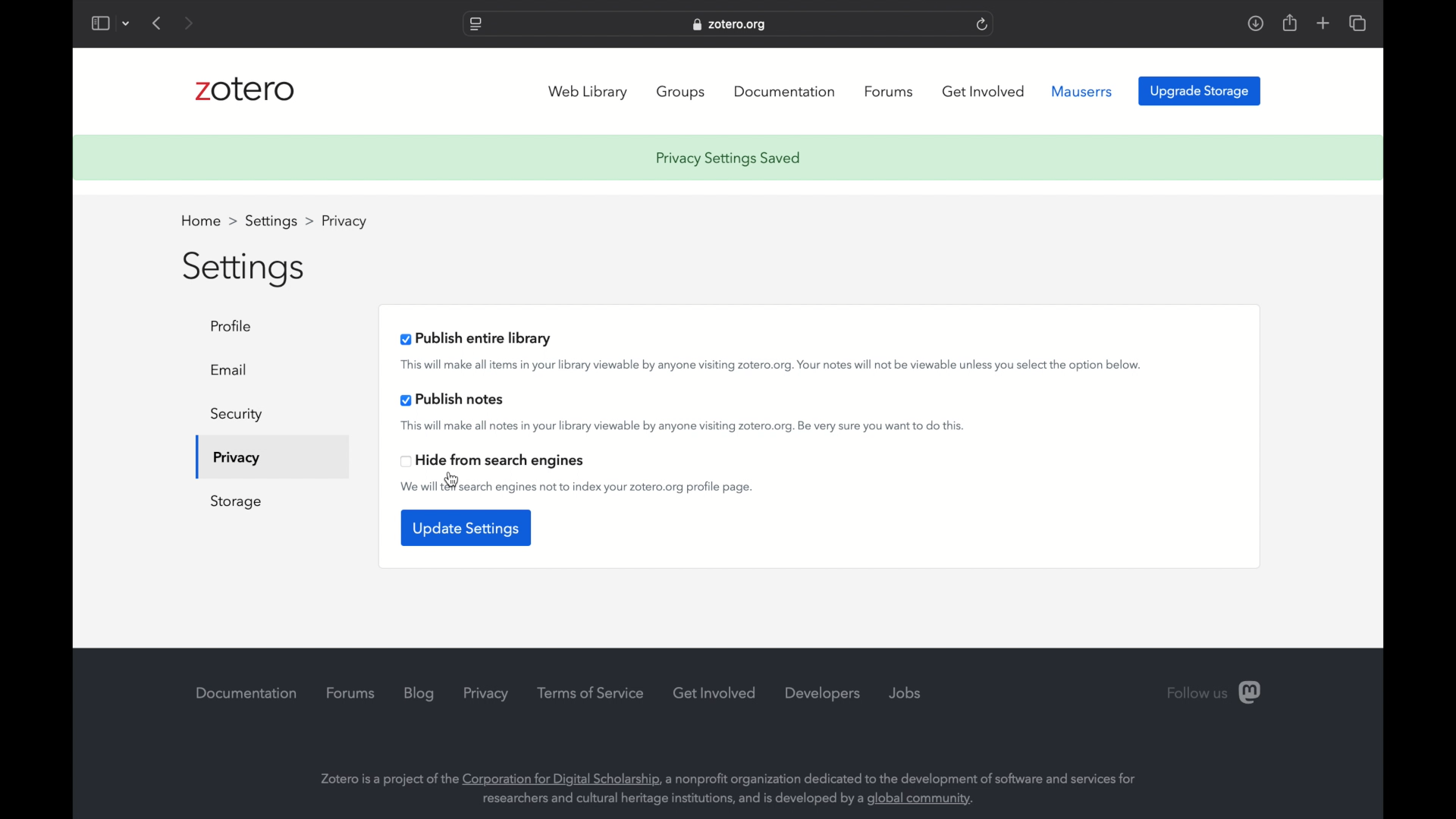  What do you see at coordinates (187, 23) in the screenshot?
I see `next` at bounding box center [187, 23].